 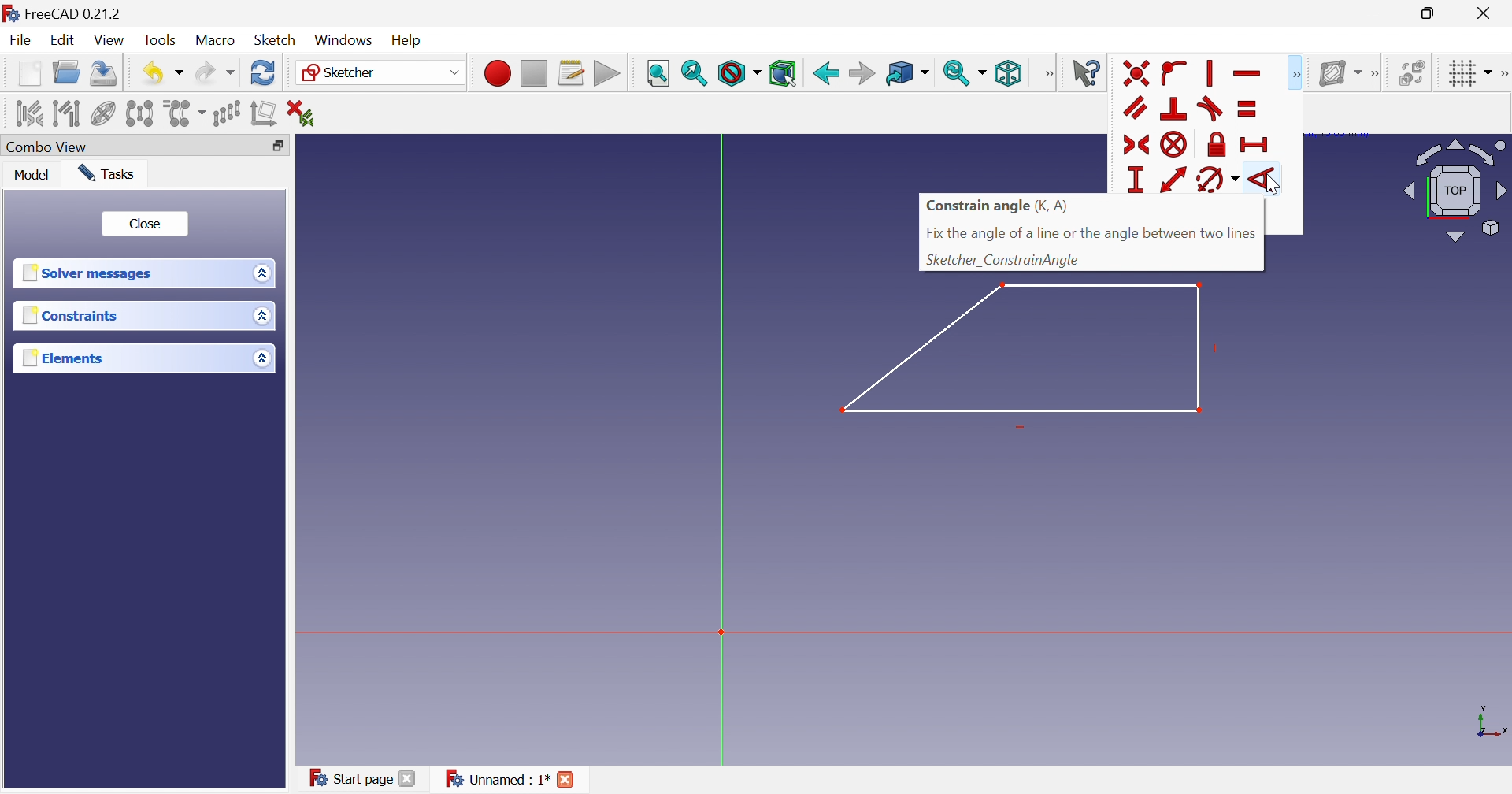 What do you see at coordinates (180, 73) in the screenshot?
I see `Drop Down` at bounding box center [180, 73].